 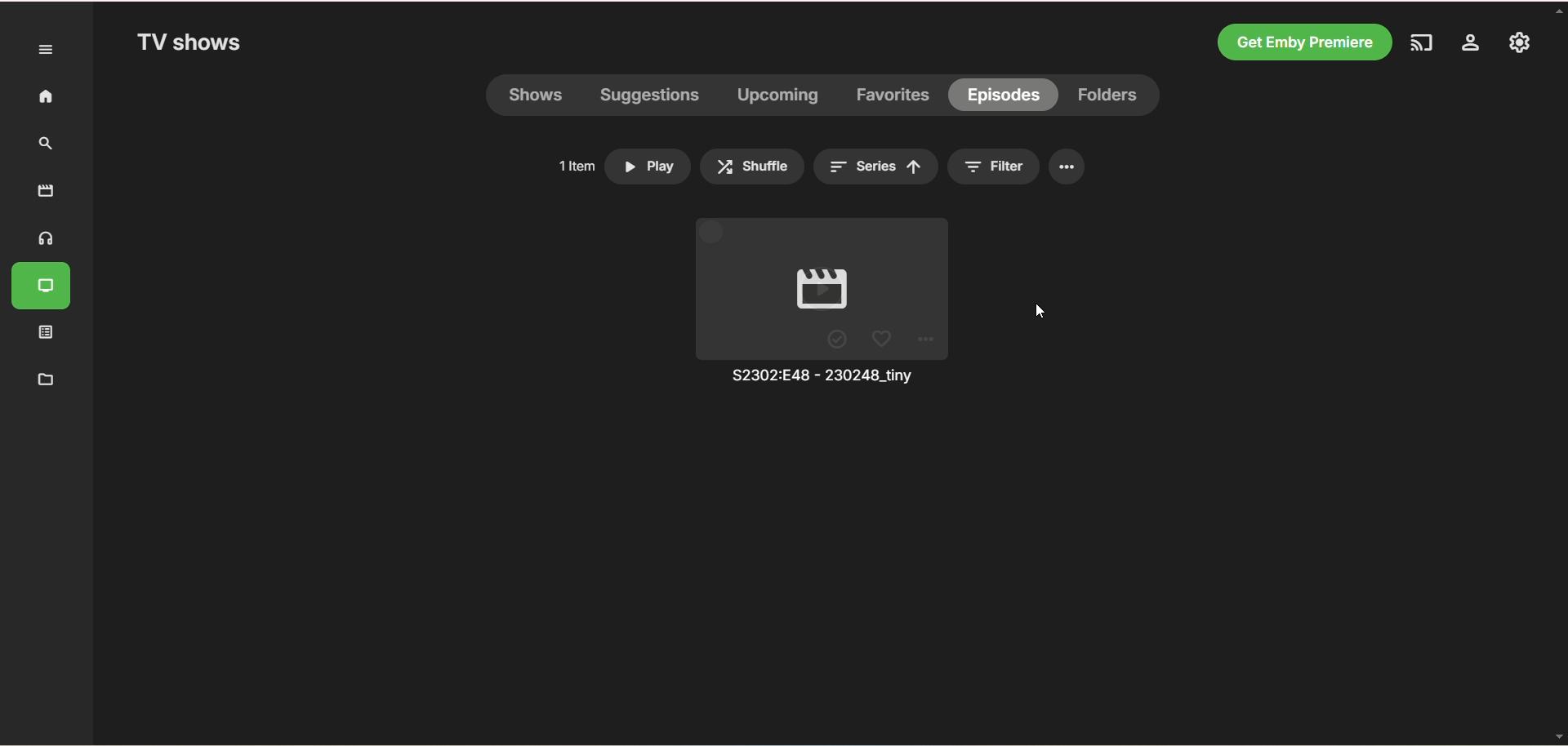 What do you see at coordinates (837, 341) in the screenshot?
I see `mark played` at bounding box center [837, 341].